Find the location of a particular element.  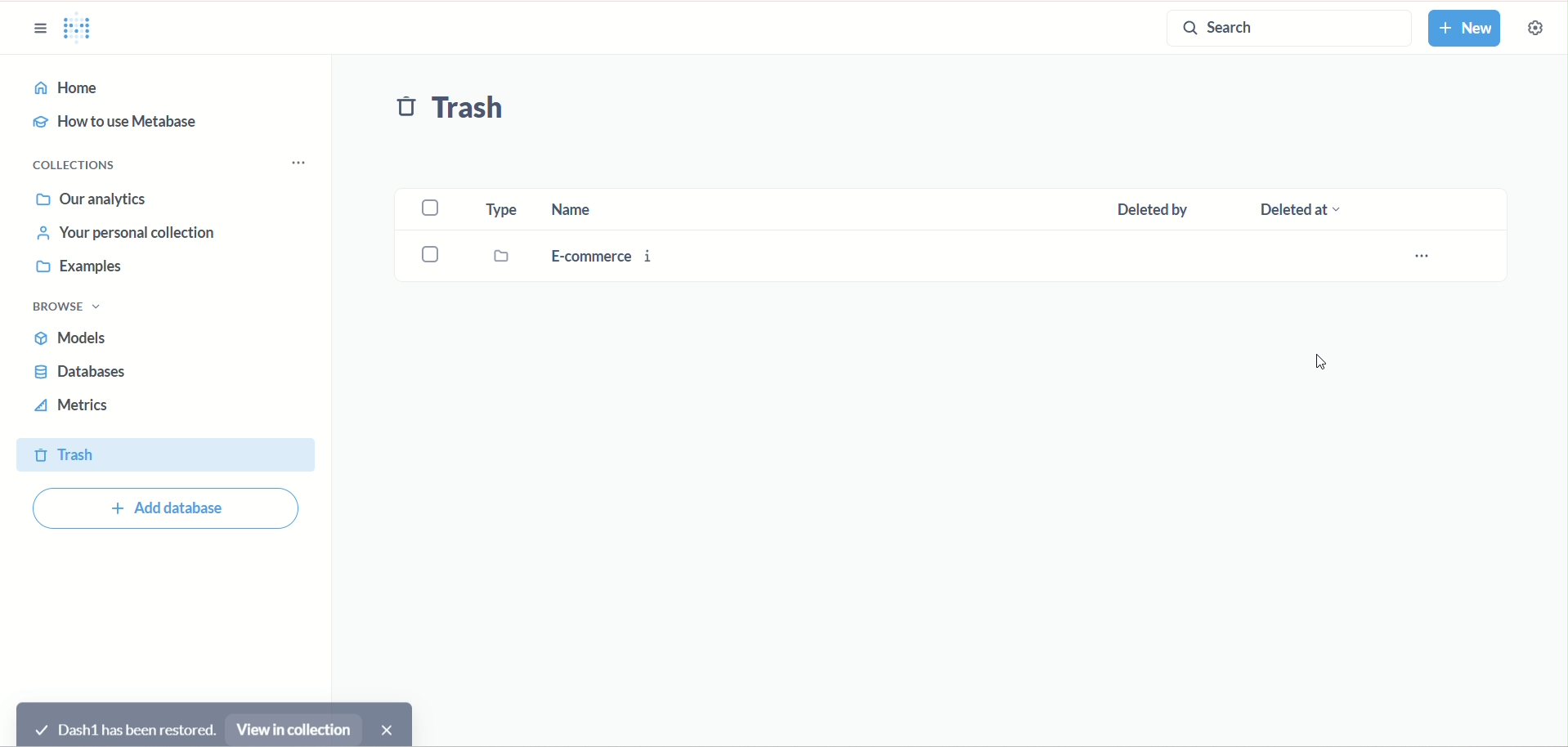

deleted at is located at coordinates (1324, 208).